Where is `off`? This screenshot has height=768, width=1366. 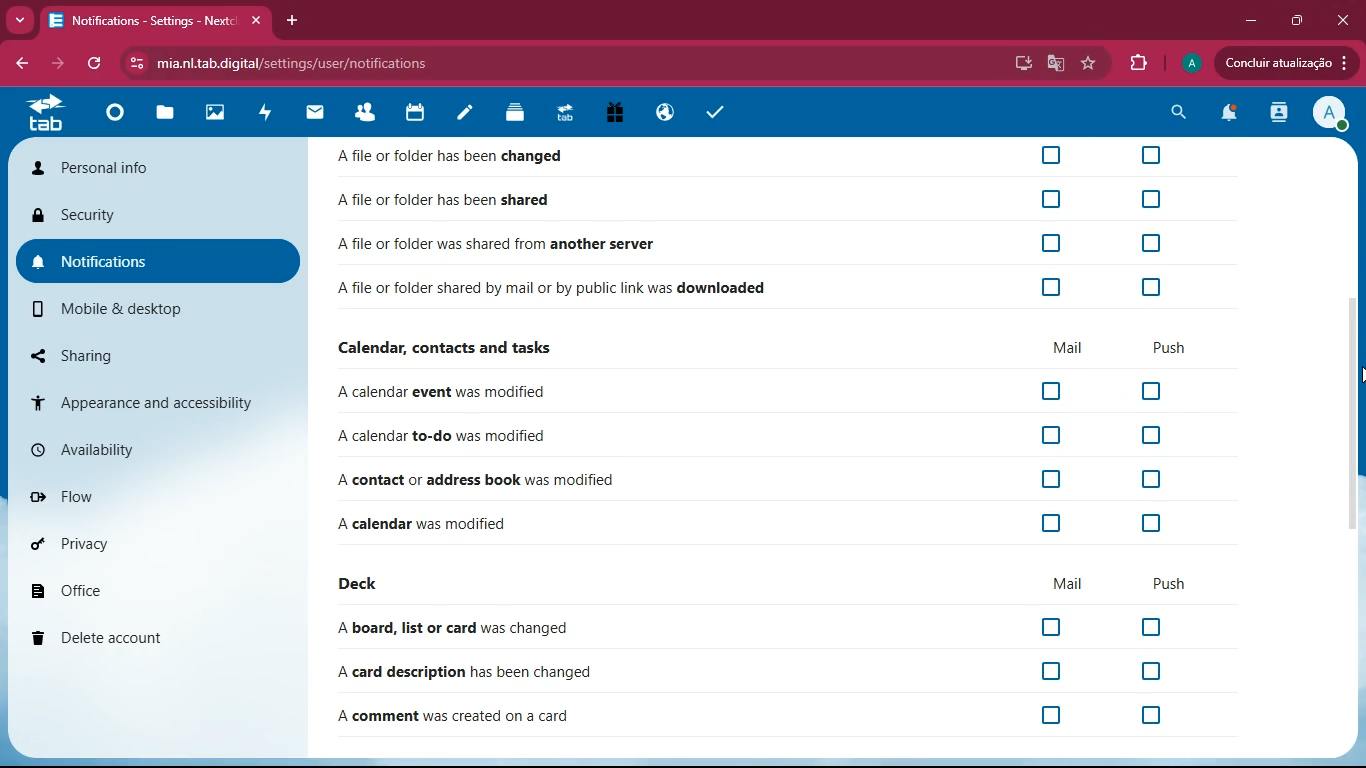 off is located at coordinates (1153, 671).